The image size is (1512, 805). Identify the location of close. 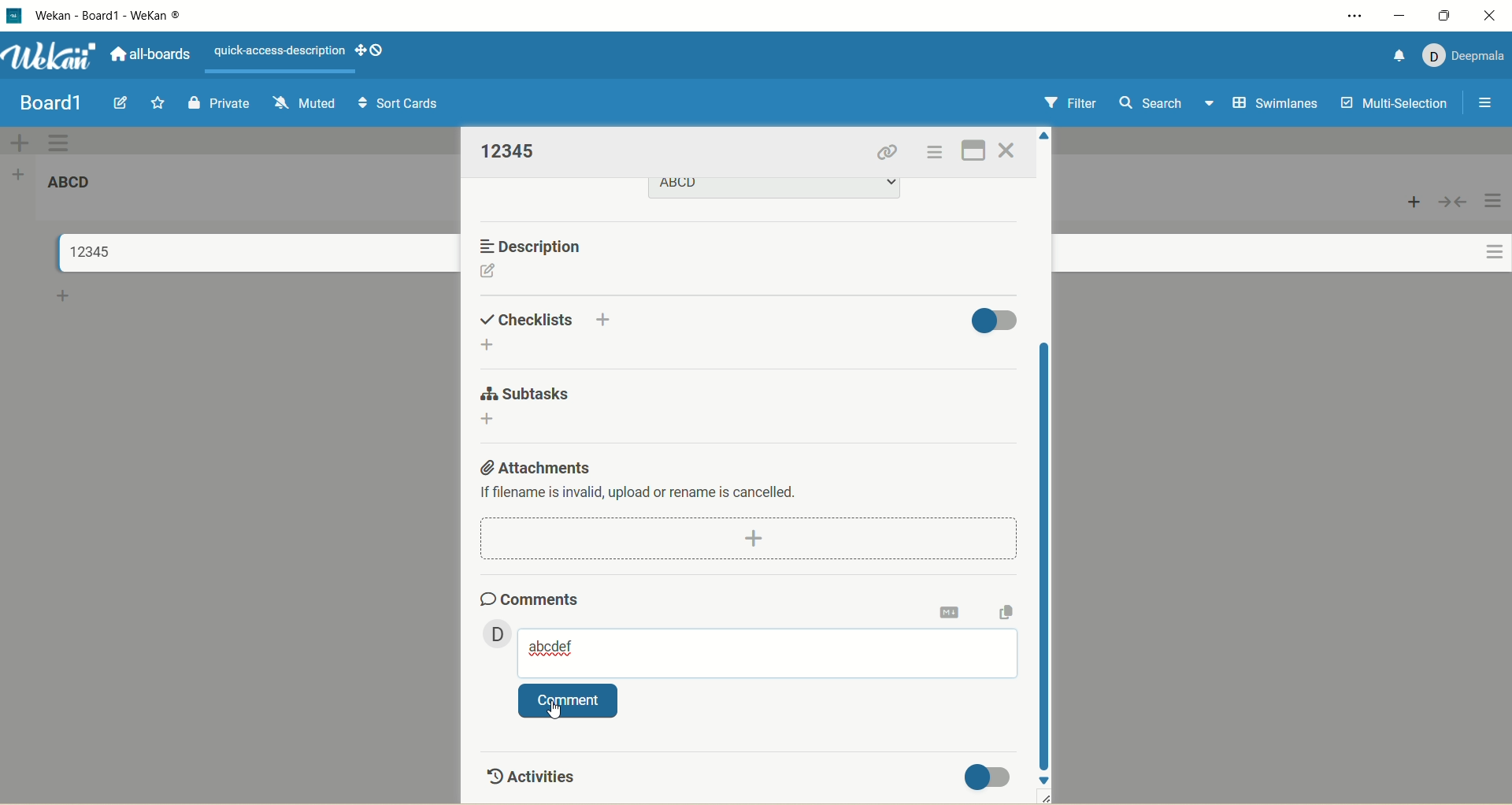
(1490, 15).